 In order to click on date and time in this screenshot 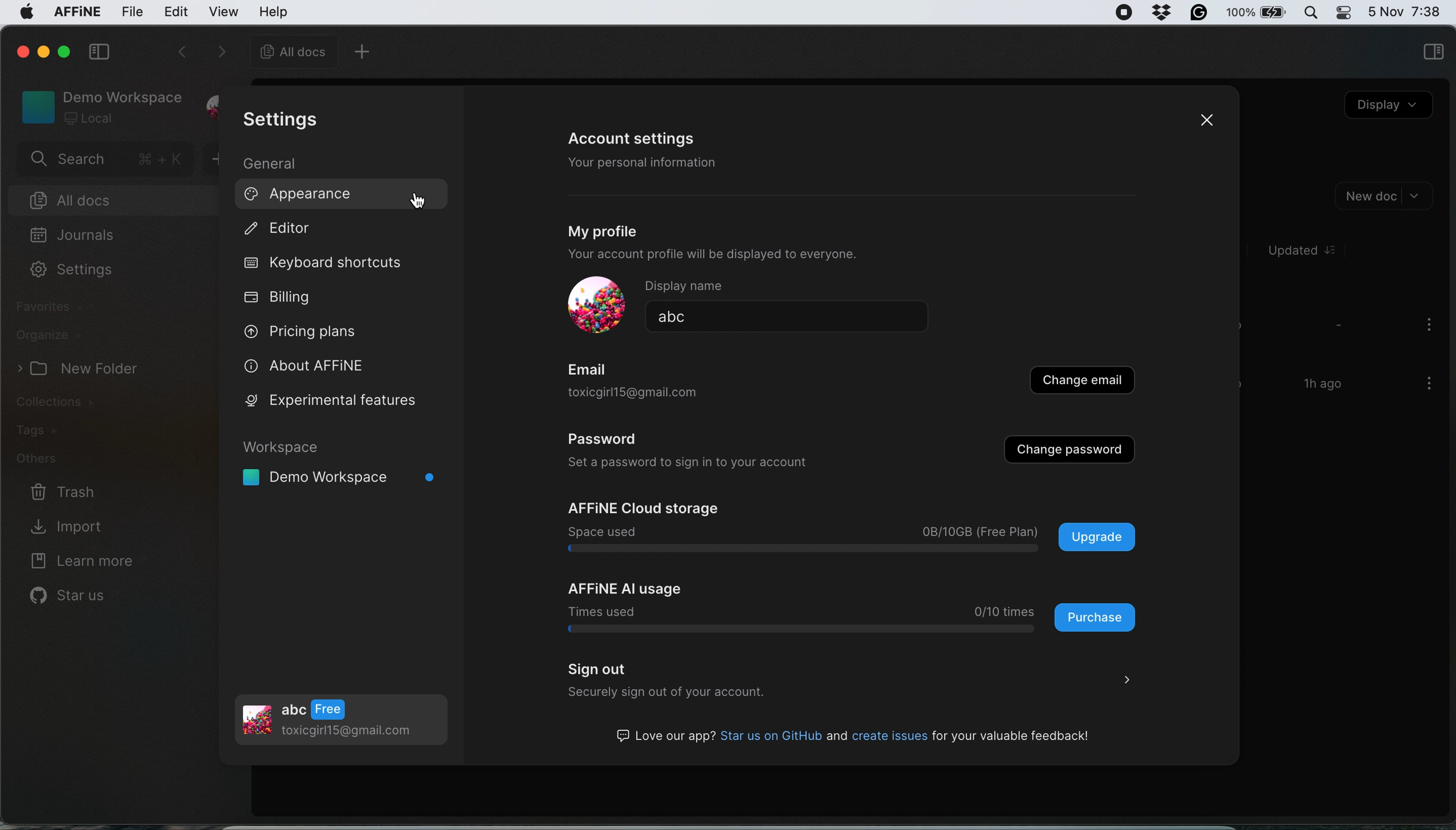, I will do `click(1405, 10)`.